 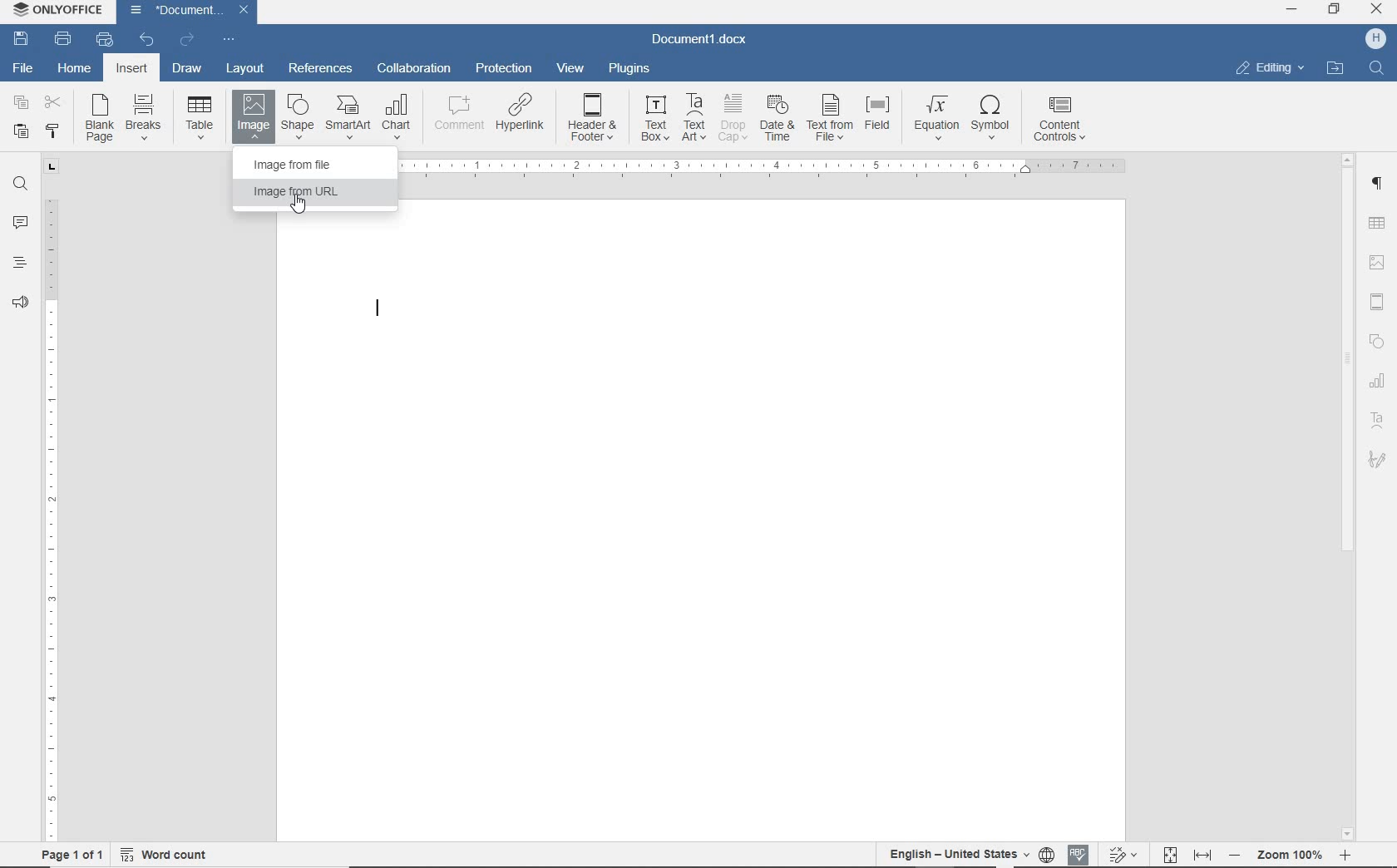 What do you see at coordinates (22, 301) in the screenshot?
I see `feedback & support` at bounding box center [22, 301].